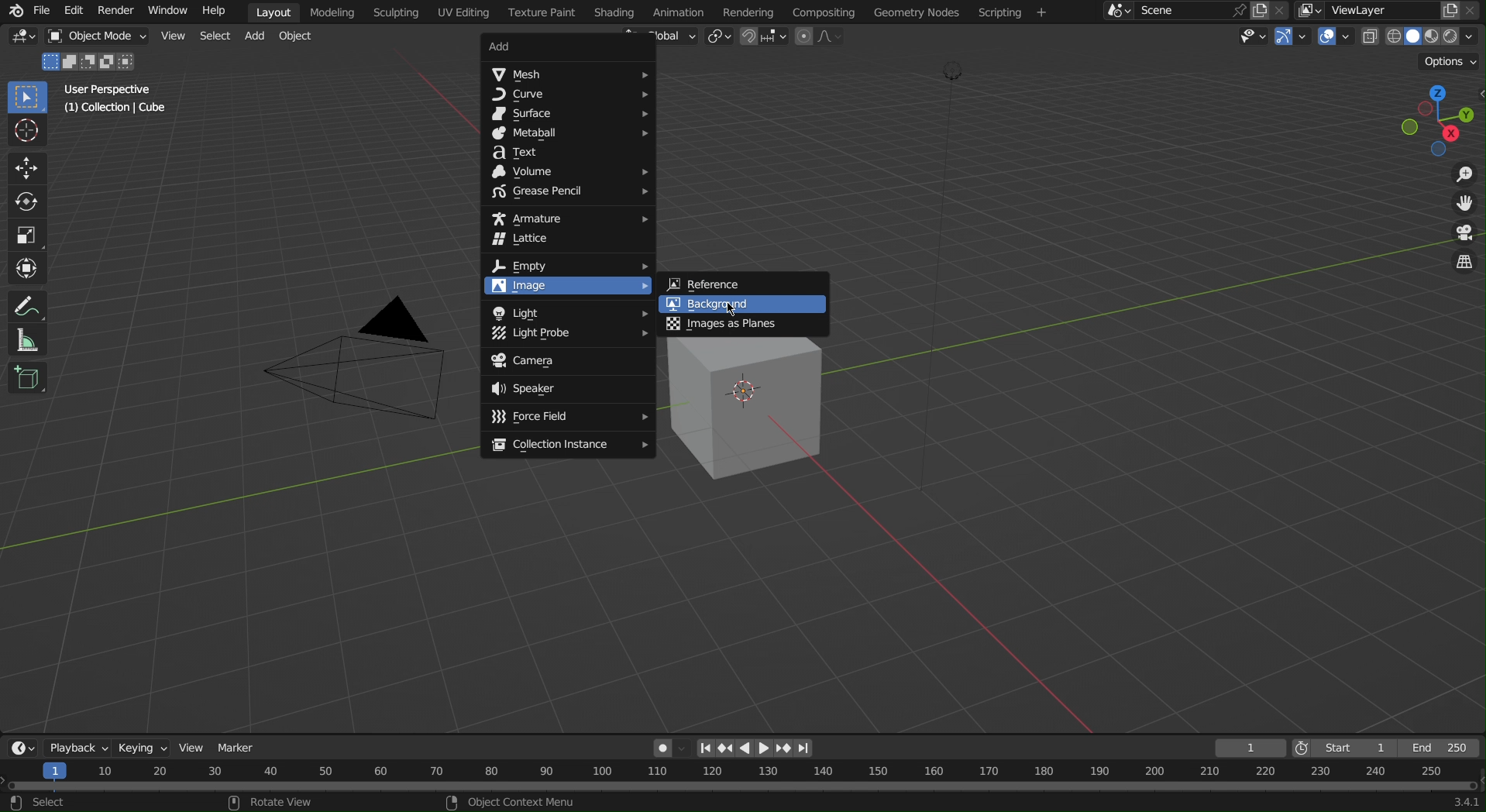  Describe the element at coordinates (91, 62) in the screenshot. I see `Mode` at that location.